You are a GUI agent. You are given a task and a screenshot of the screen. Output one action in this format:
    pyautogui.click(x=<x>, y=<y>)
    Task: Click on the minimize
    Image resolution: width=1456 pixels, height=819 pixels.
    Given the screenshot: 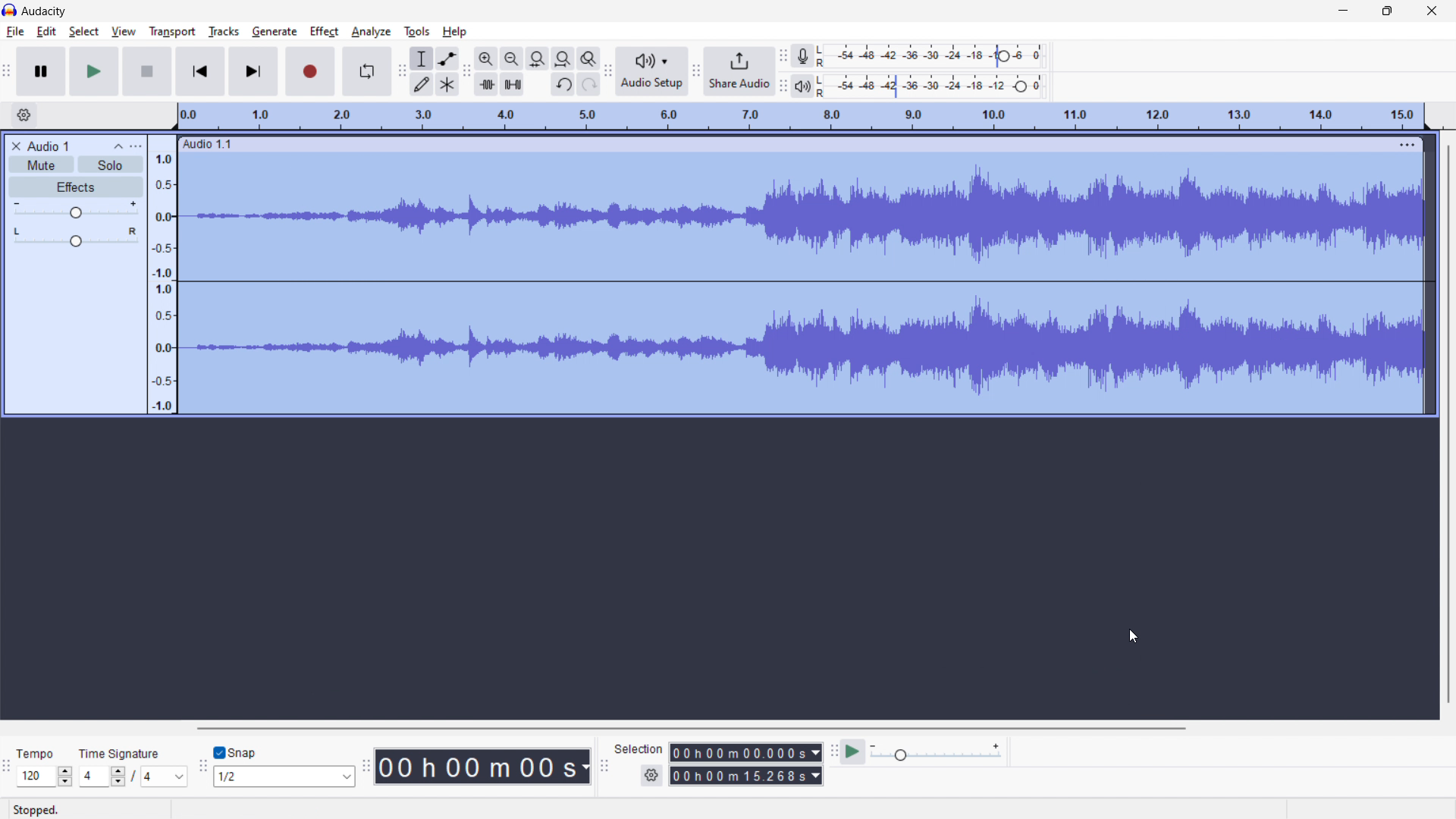 What is the action you would take?
    pyautogui.click(x=1344, y=10)
    